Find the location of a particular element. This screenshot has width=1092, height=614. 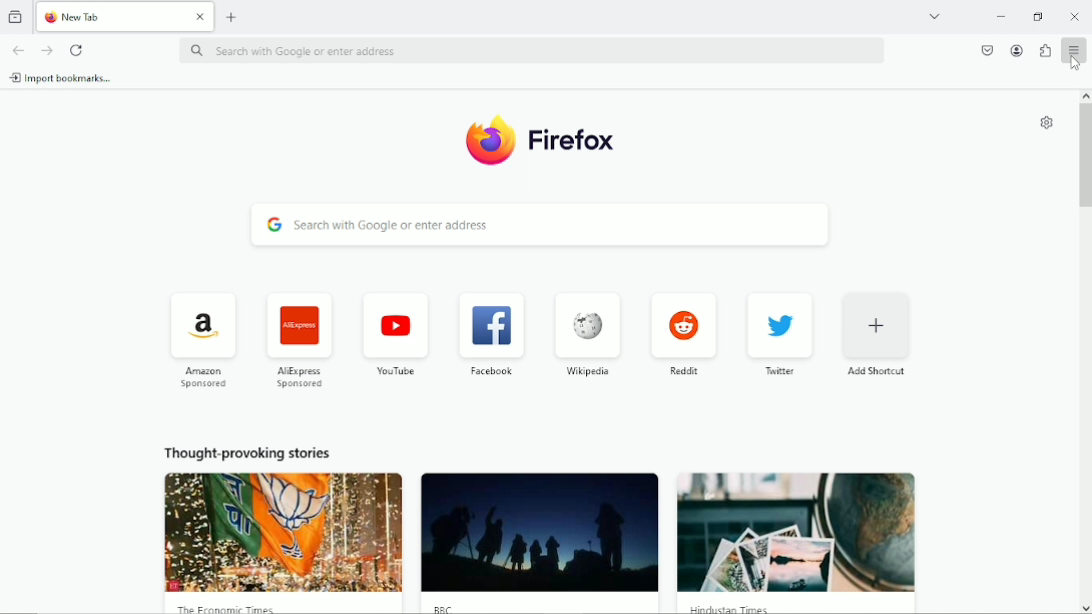

Cursor is located at coordinates (1074, 65).